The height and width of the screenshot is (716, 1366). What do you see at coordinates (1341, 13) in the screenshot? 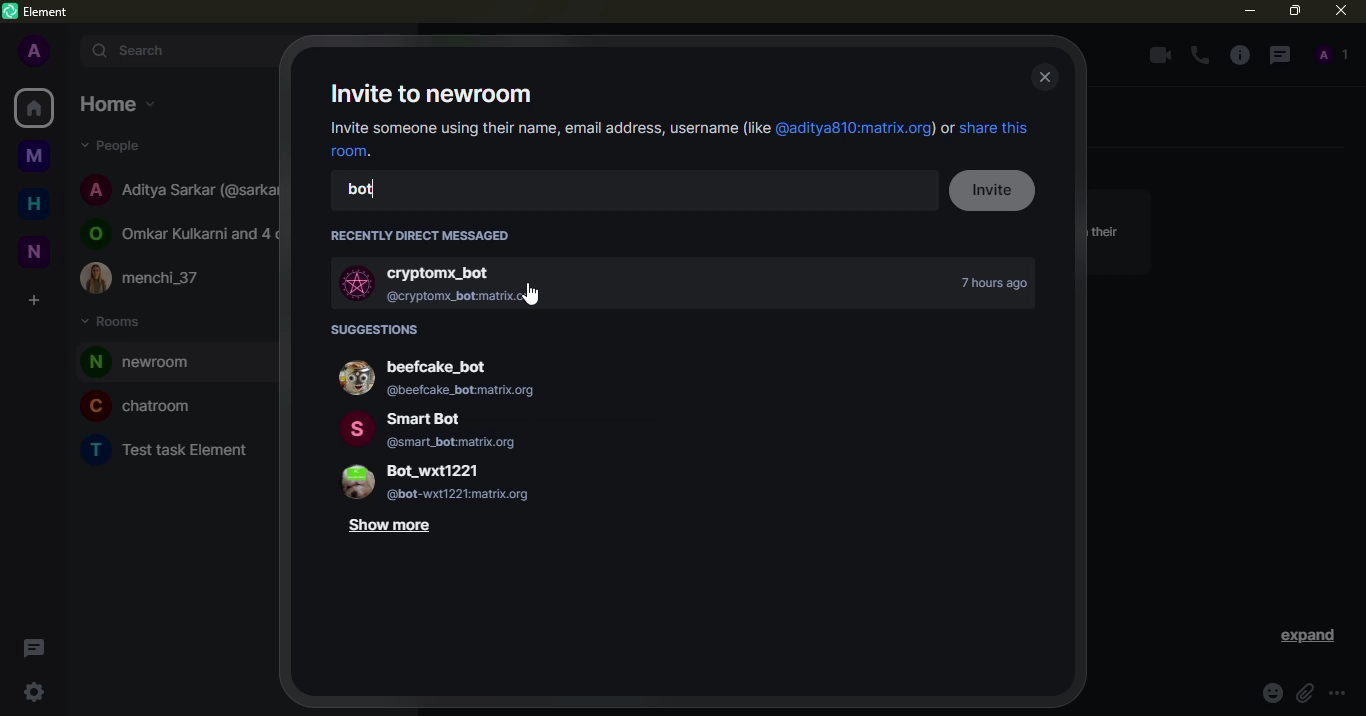
I see `close` at bounding box center [1341, 13].